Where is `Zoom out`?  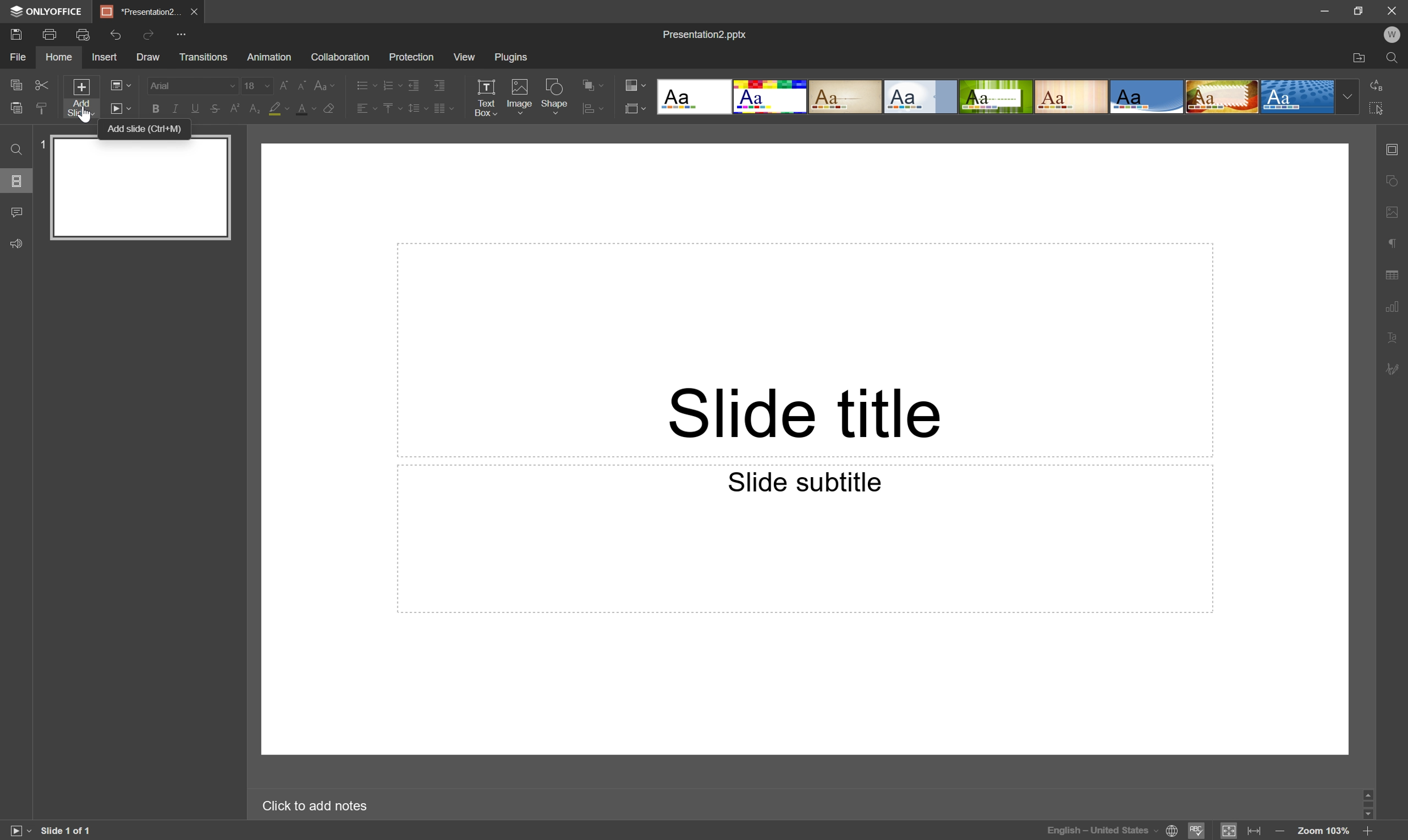
Zoom out is located at coordinates (1279, 830).